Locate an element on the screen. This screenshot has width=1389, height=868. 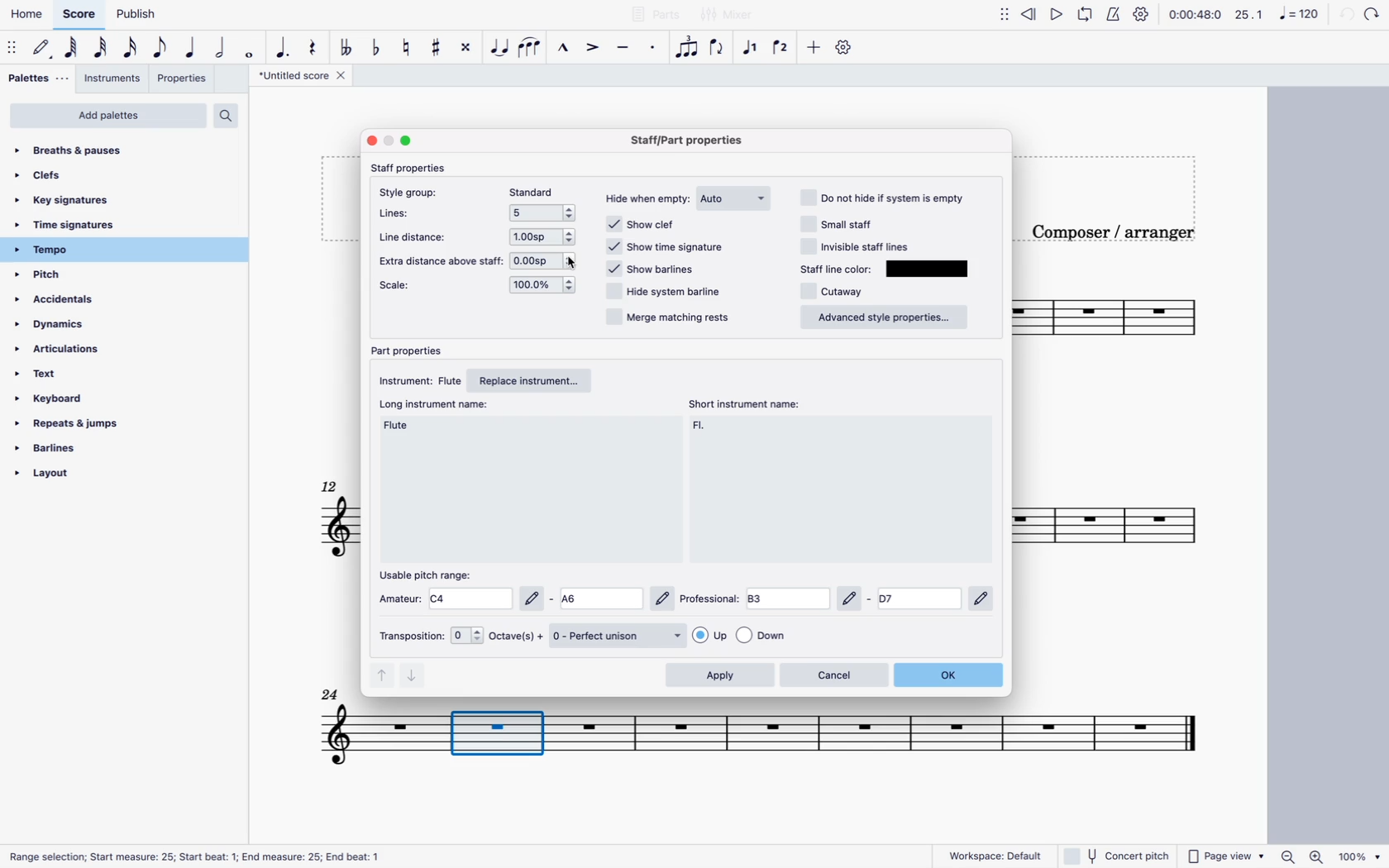
short instrument name is located at coordinates (704, 427).